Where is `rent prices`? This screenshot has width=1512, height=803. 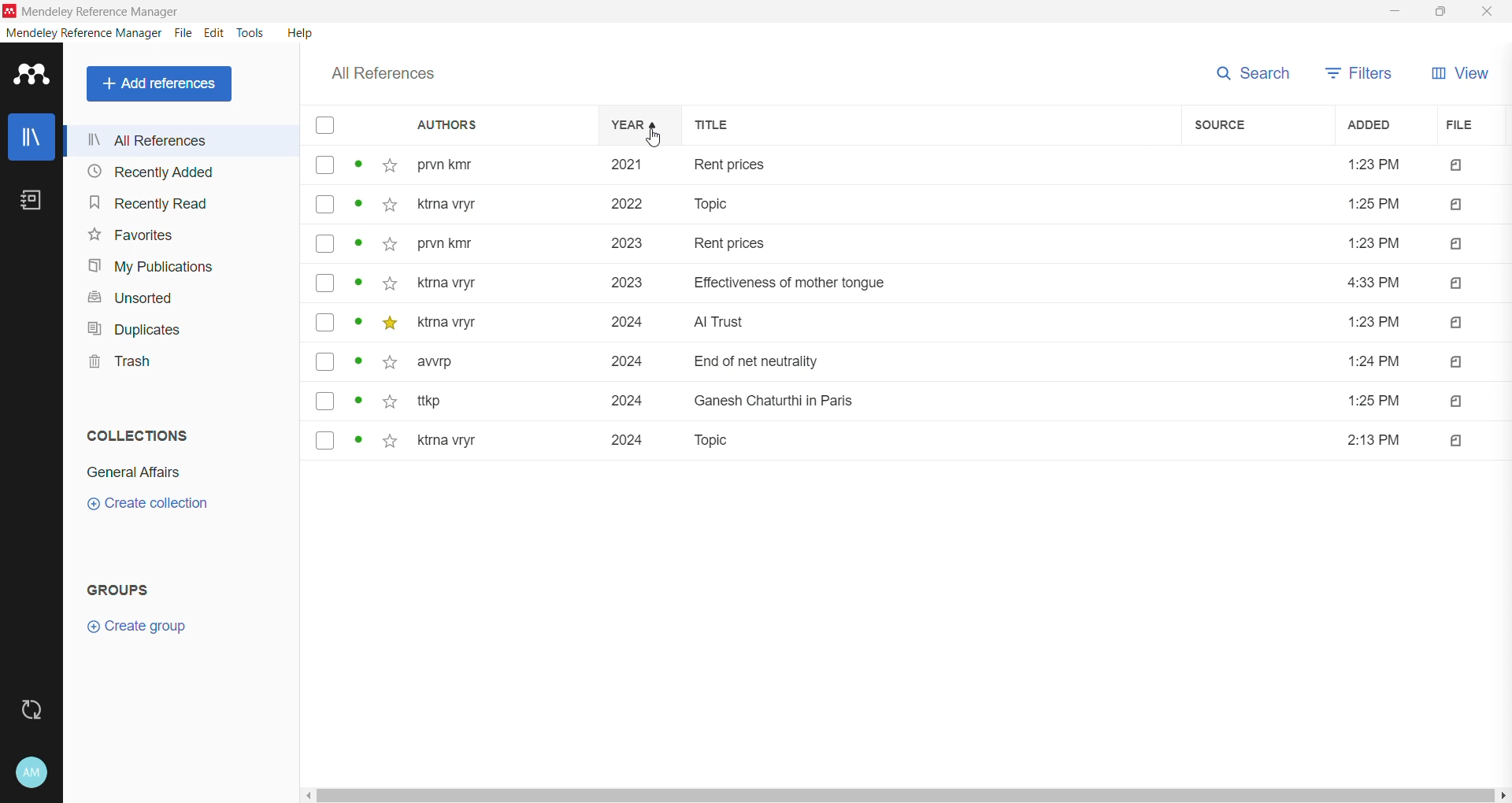
rent prices is located at coordinates (732, 243).